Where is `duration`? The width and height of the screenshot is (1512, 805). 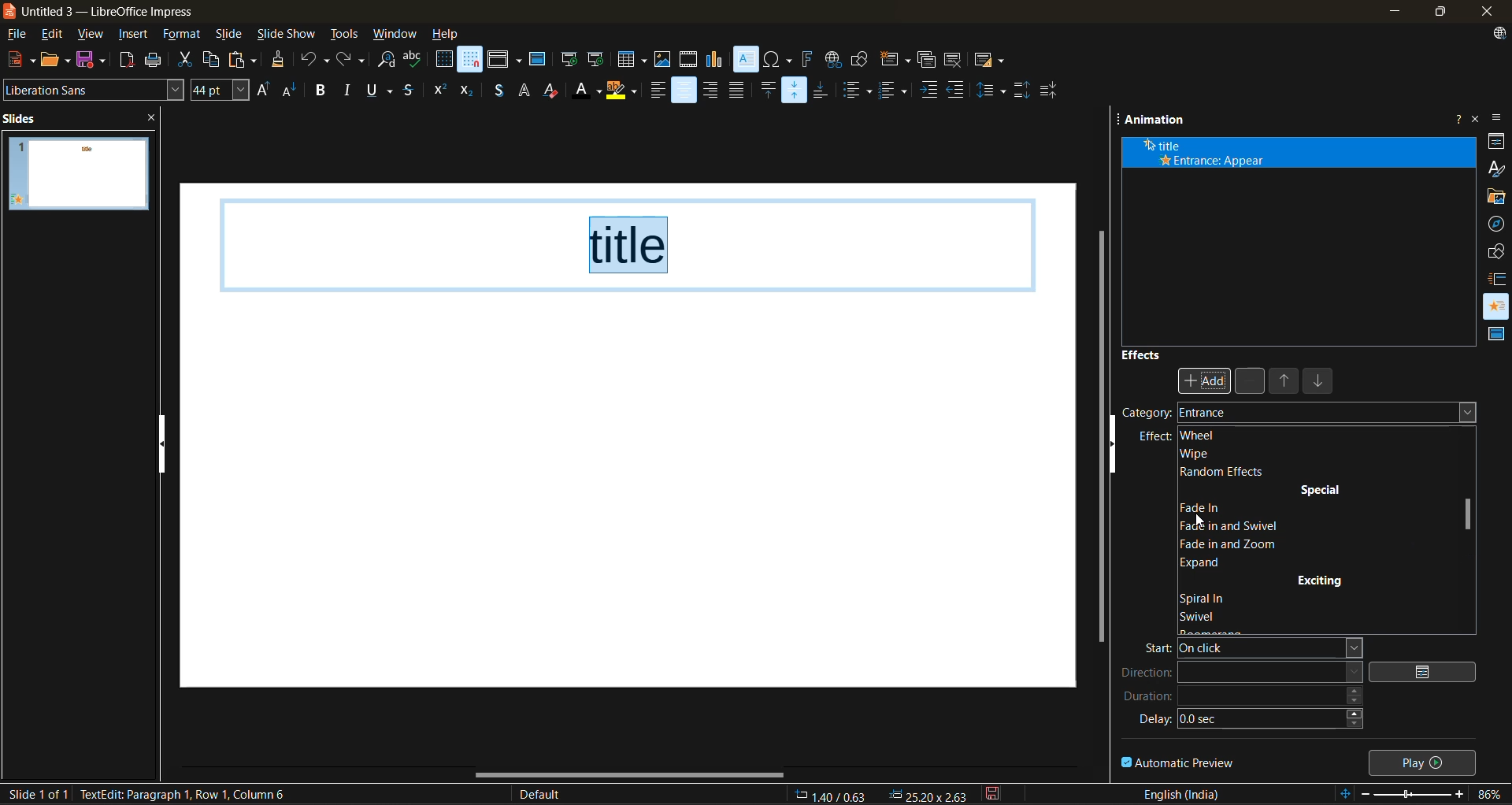
duration is located at coordinates (1243, 701).